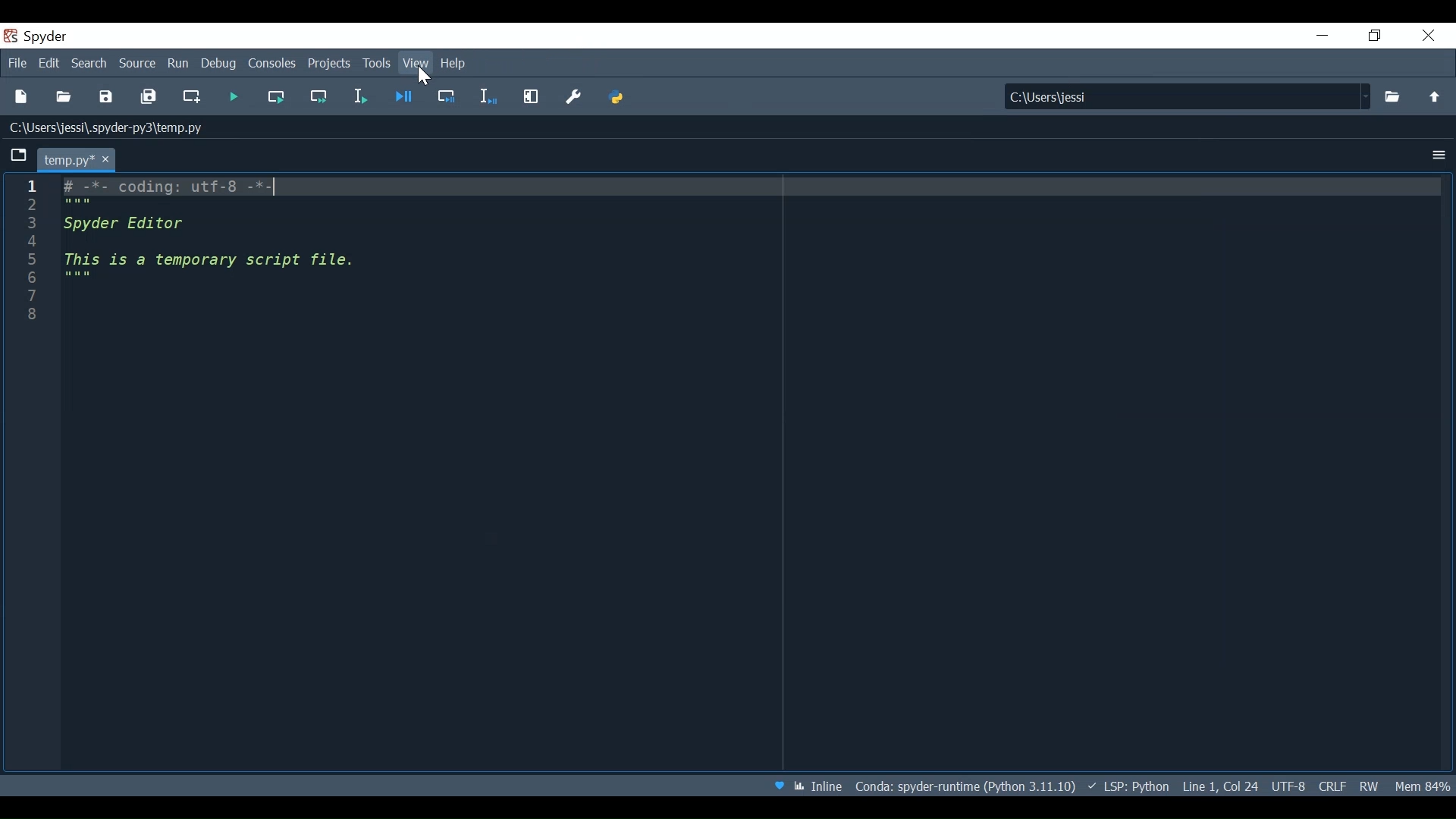 Image resolution: width=1456 pixels, height=819 pixels. Describe the element at coordinates (1431, 96) in the screenshot. I see `move up` at that location.